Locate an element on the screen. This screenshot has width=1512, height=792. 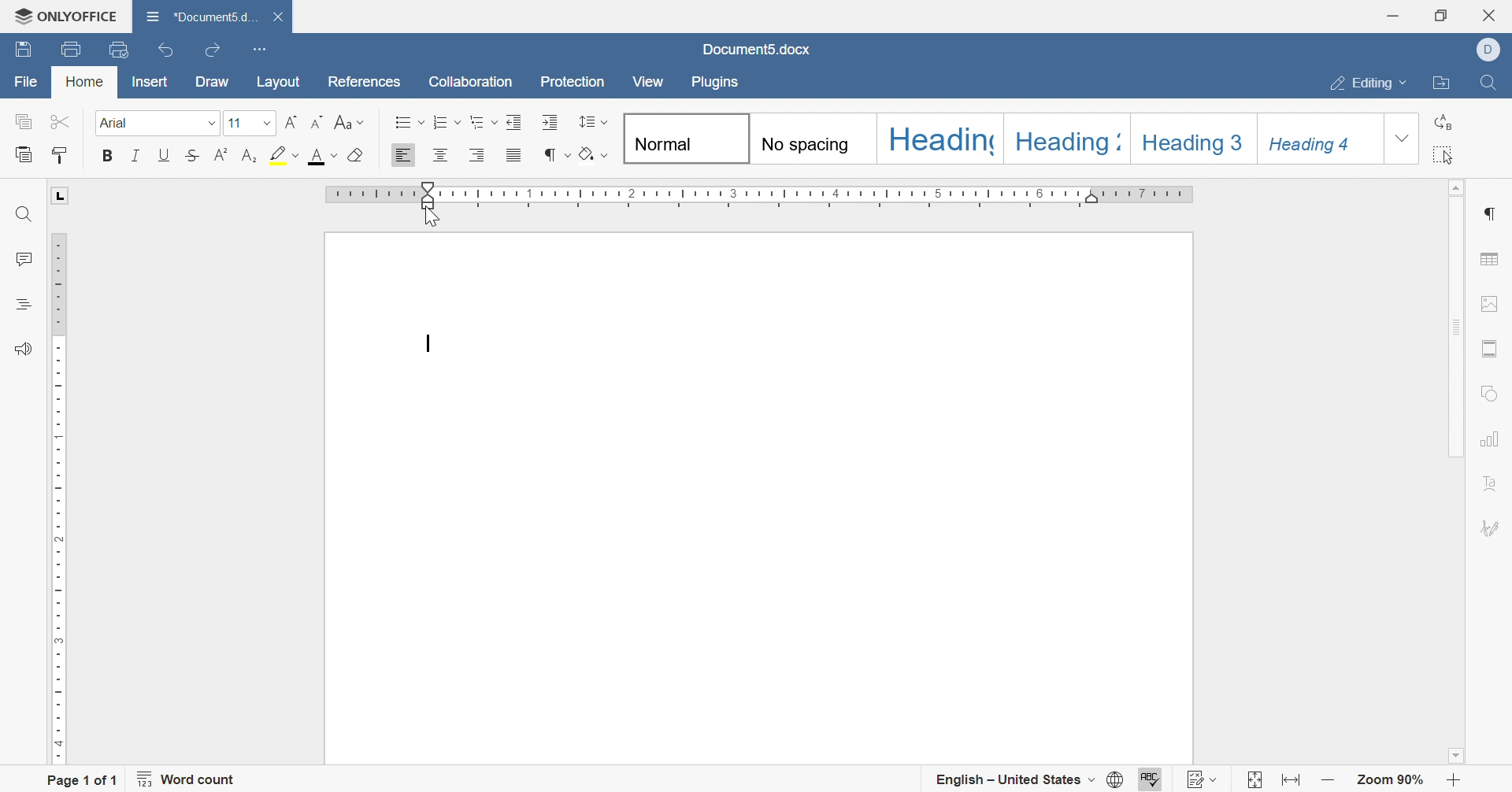
bold is located at coordinates (105, 154).